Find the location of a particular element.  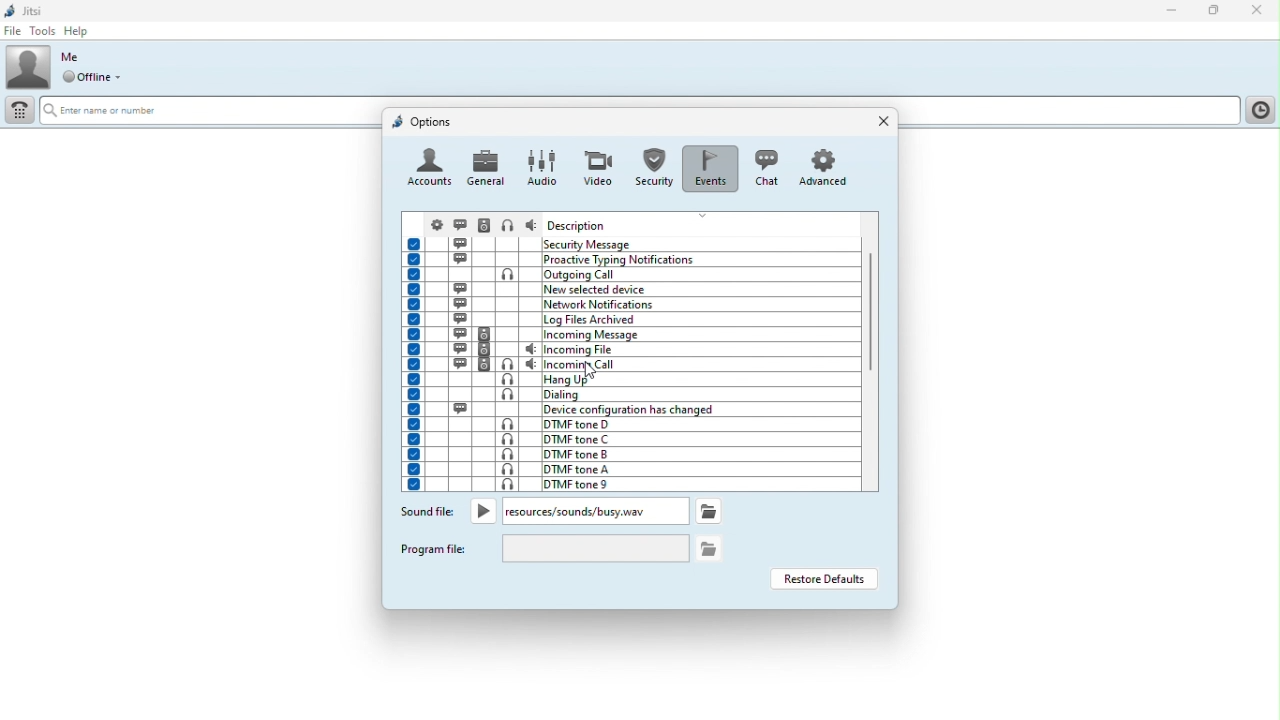

open folder is located at coordinates (710, 547).